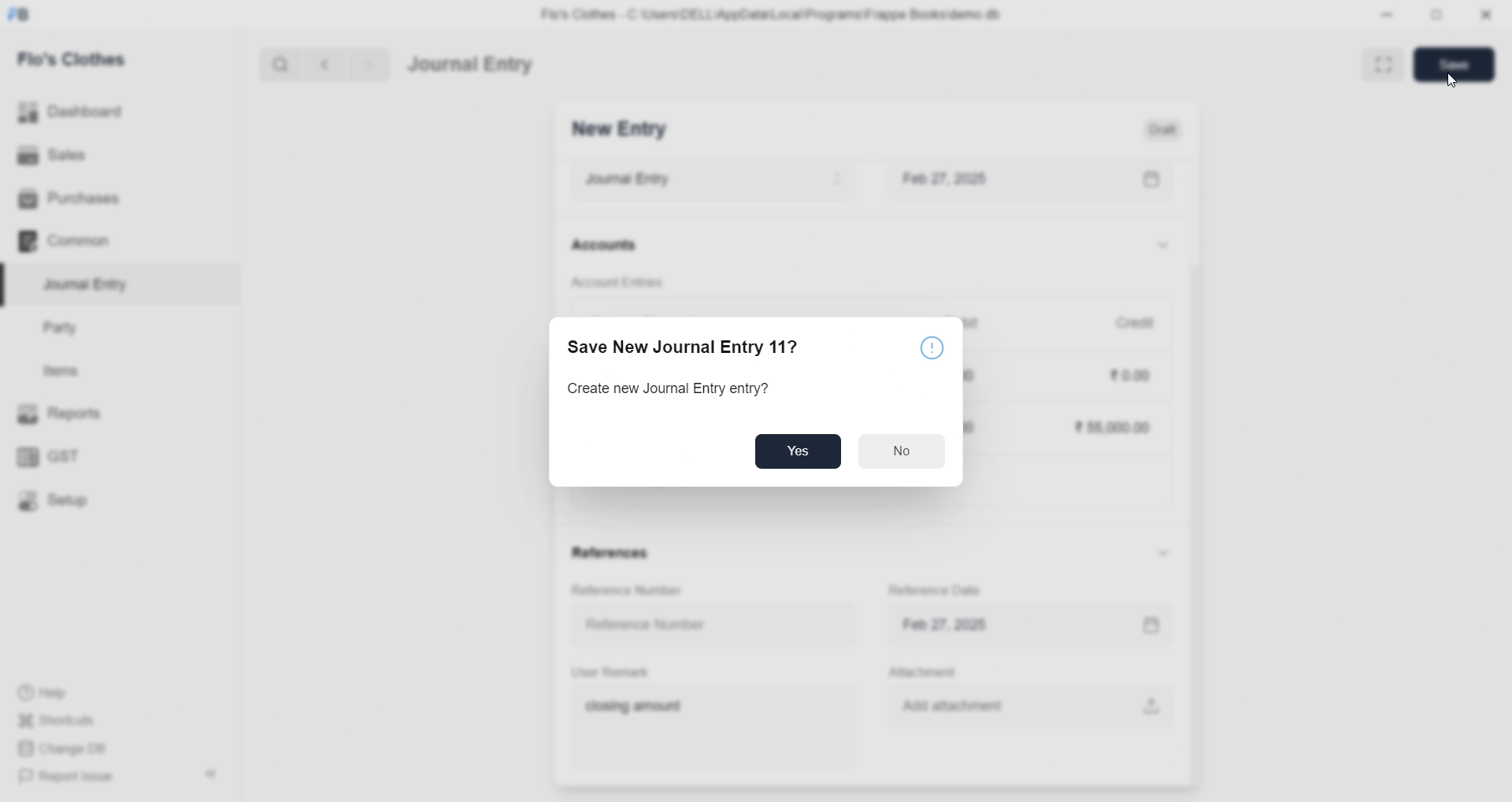 The width and height of the screenshot is (1512, 802). What do you see at coordinates (671, 390) in the screenshot?
I see `Create new Journal Entry entry?` at bounding box center [671, 390].